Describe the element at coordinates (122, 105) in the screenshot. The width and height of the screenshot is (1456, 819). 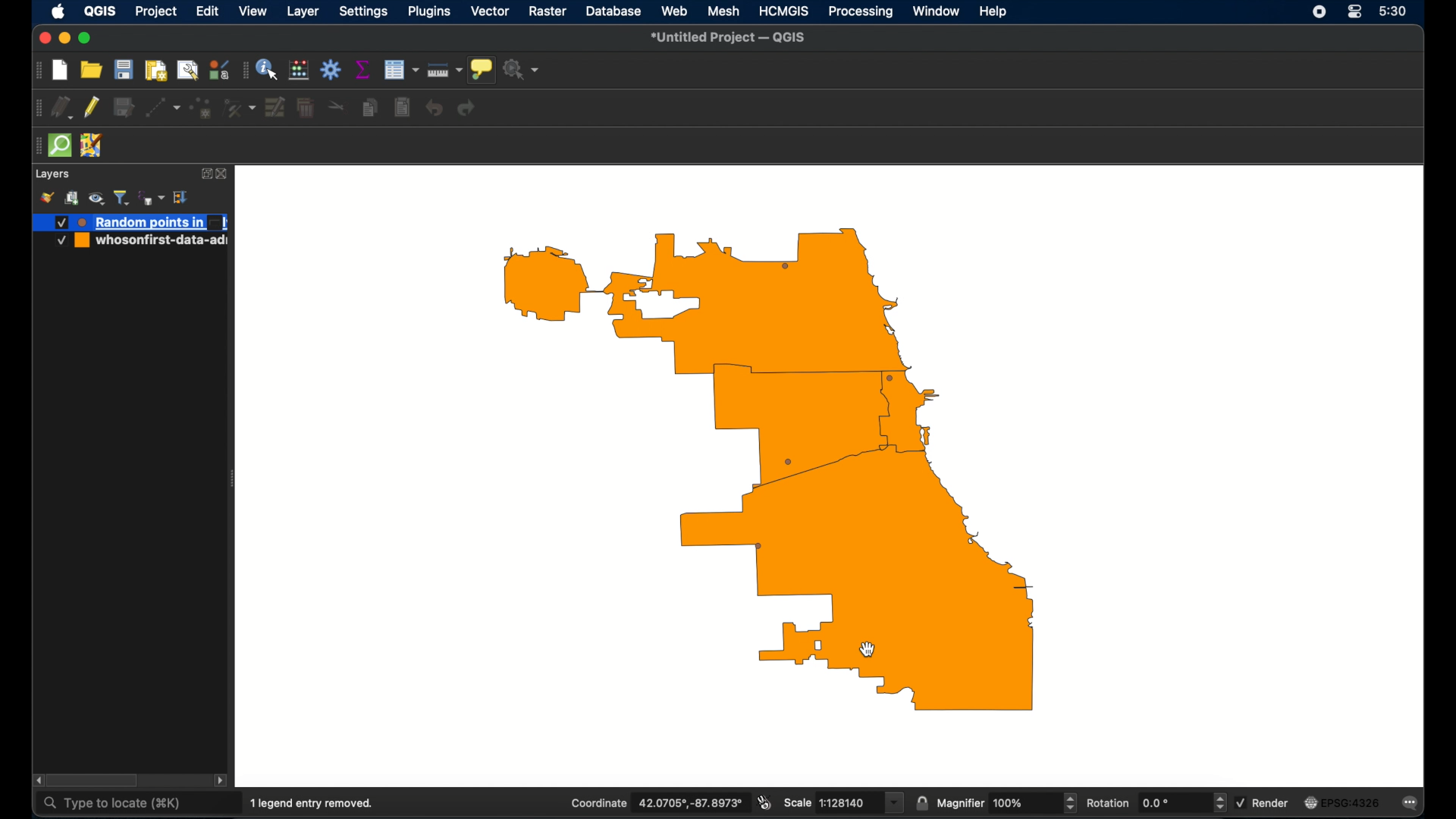
I see `save edits` at that location.